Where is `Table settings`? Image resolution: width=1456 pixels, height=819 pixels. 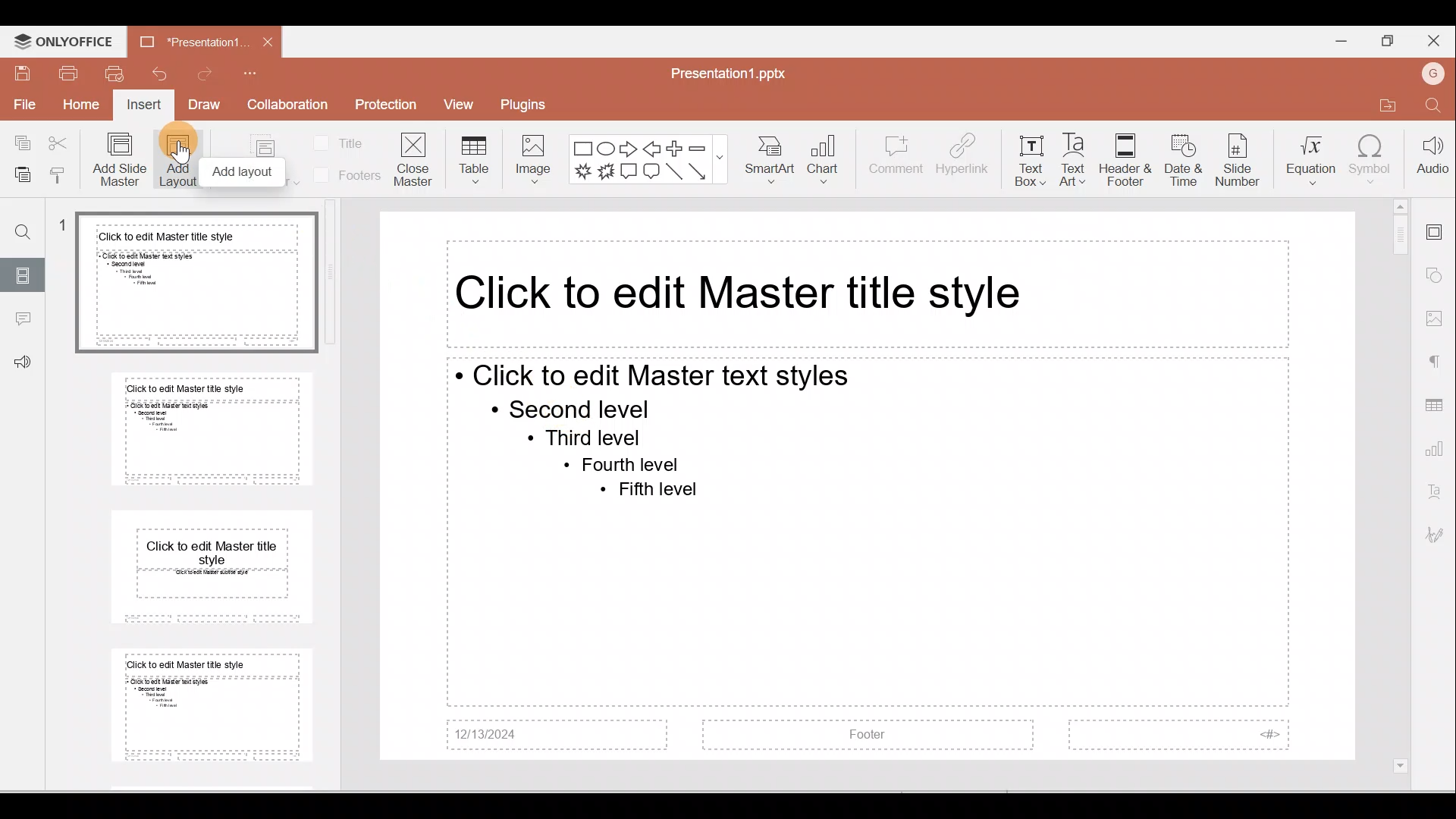 Table settings is located at coordinates (1435, 404).